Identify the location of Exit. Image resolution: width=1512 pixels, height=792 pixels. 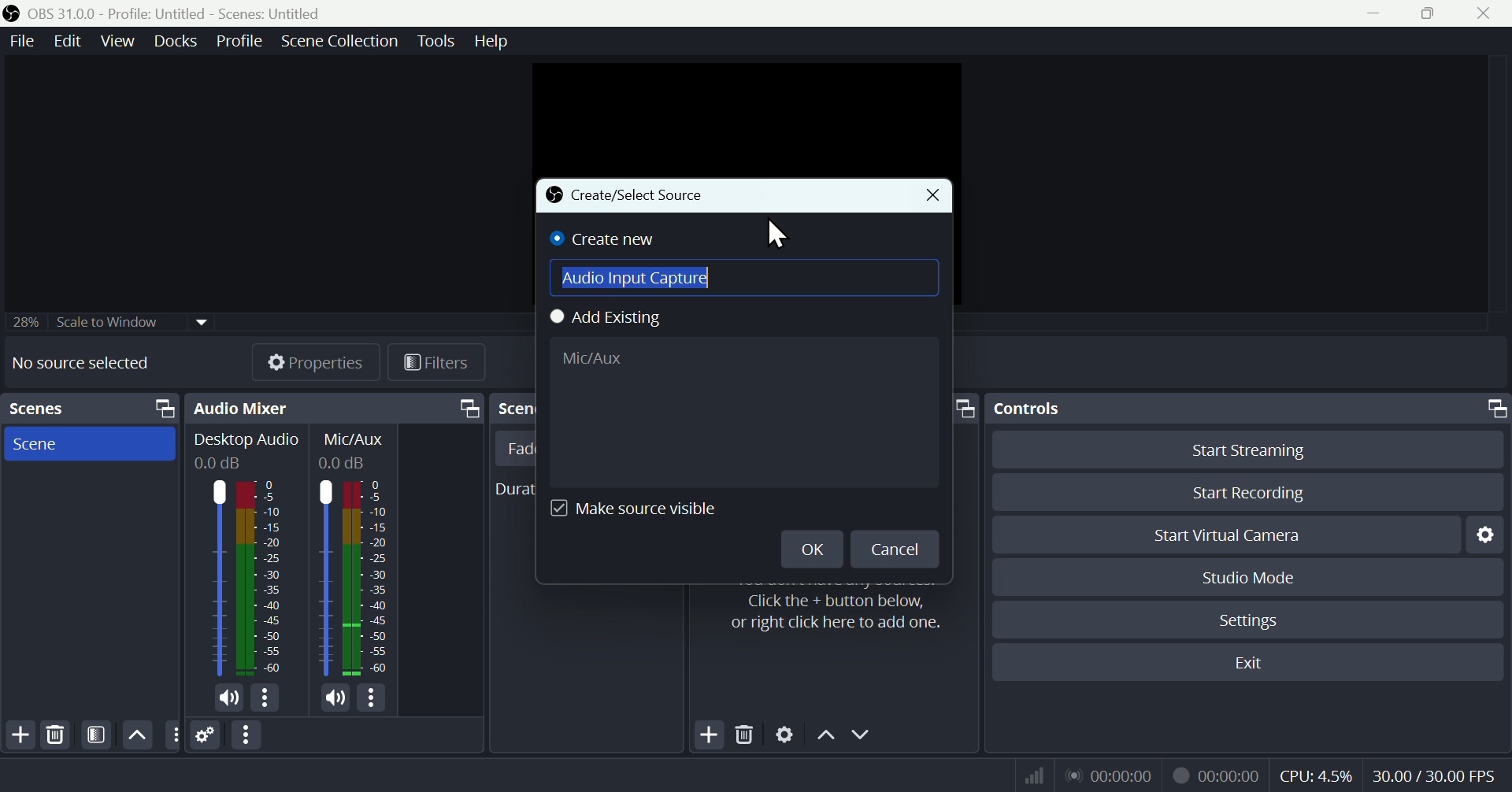
(1258, 663).